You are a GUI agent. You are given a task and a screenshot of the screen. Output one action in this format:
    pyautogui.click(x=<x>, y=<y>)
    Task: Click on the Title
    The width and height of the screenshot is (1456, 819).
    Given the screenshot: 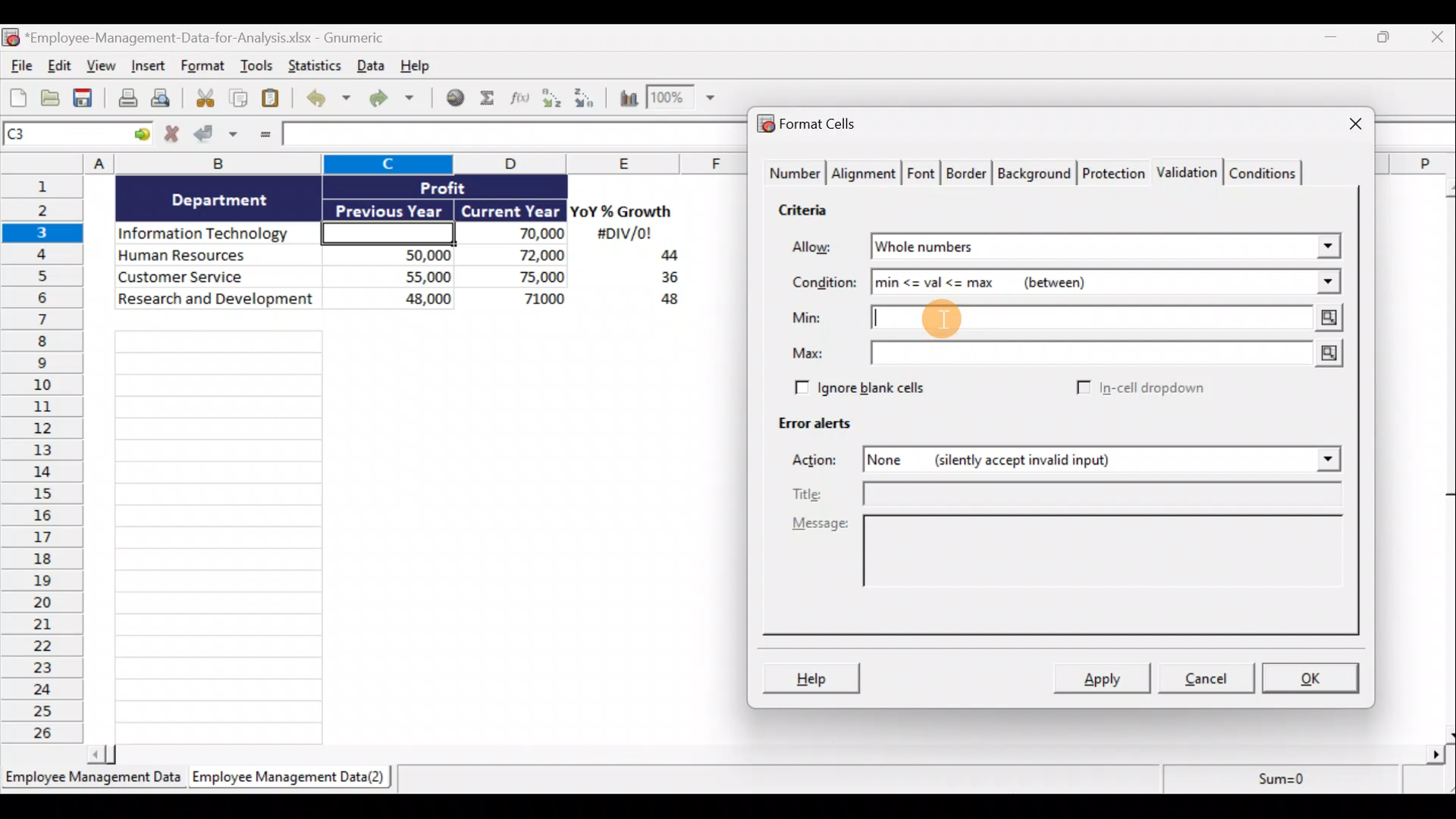 What is the action you would take?
    pyautogui.click(x=1072, y=494)
    